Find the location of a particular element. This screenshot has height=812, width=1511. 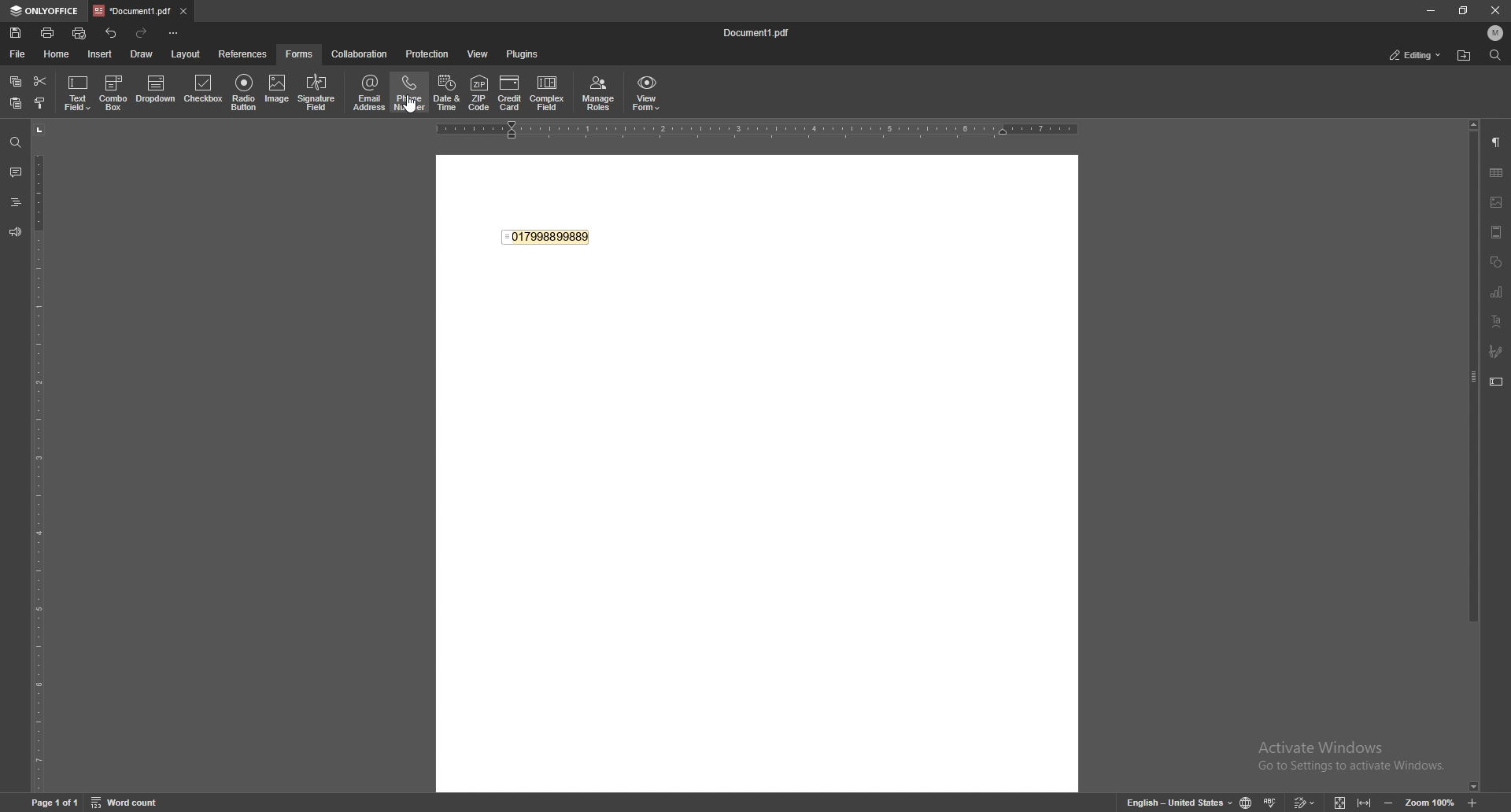

status is located at coordinates (1416, 55).